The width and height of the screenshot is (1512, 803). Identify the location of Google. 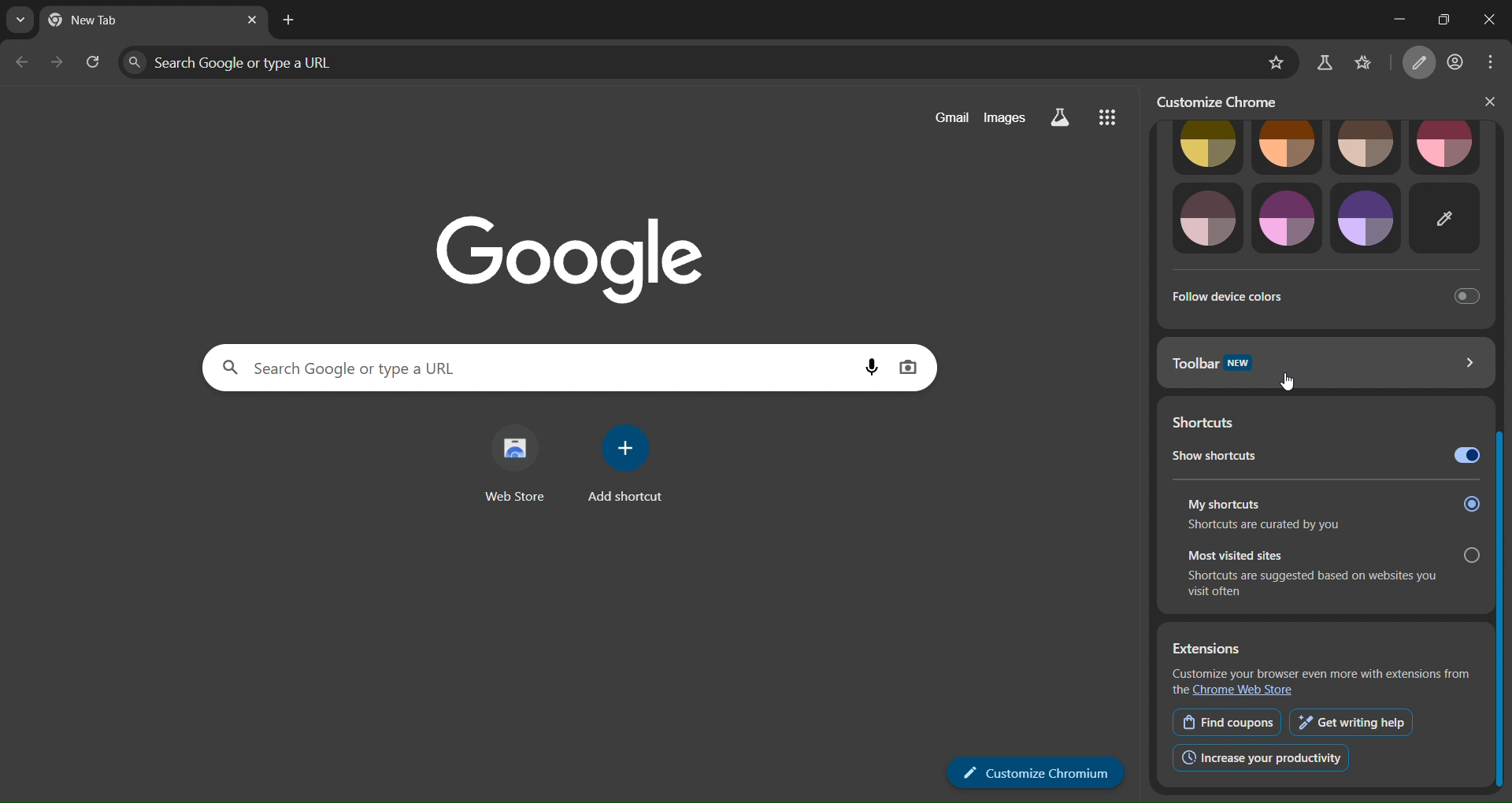
(563, 246).